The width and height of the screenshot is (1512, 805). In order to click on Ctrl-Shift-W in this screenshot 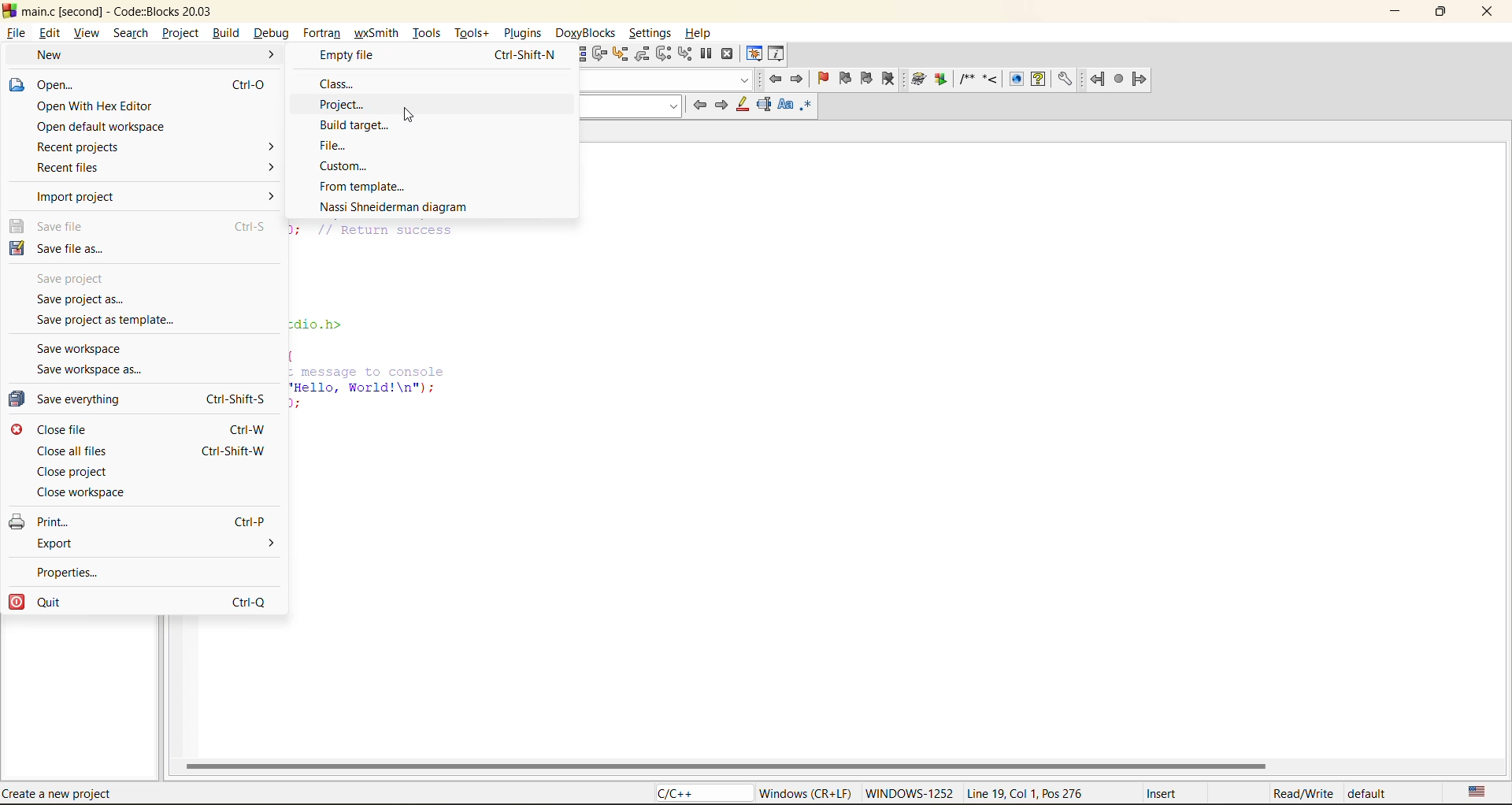, I will do `click(236, 451)`.